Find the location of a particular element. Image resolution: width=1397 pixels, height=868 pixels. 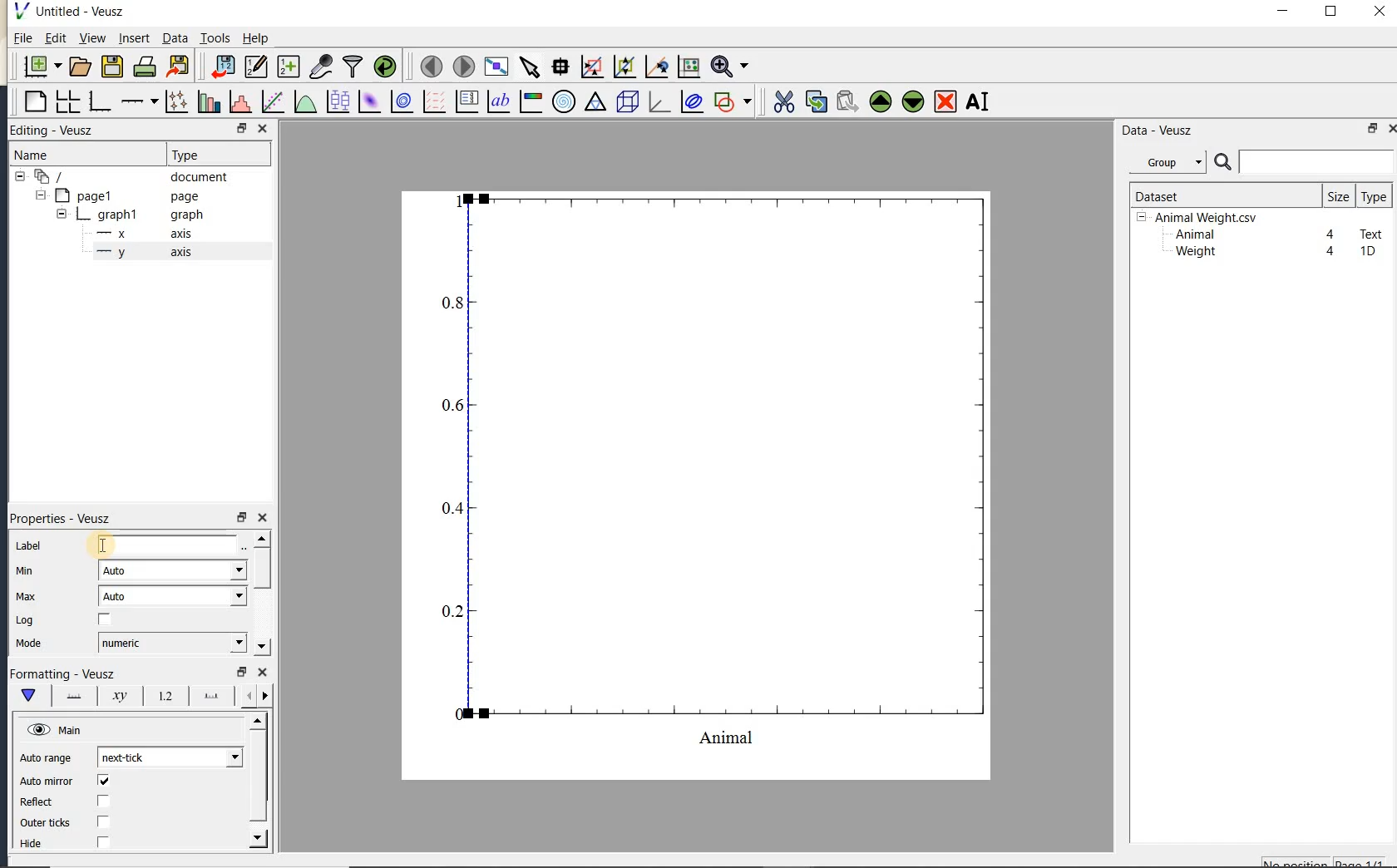

Main is located at coordinates (57, 731).